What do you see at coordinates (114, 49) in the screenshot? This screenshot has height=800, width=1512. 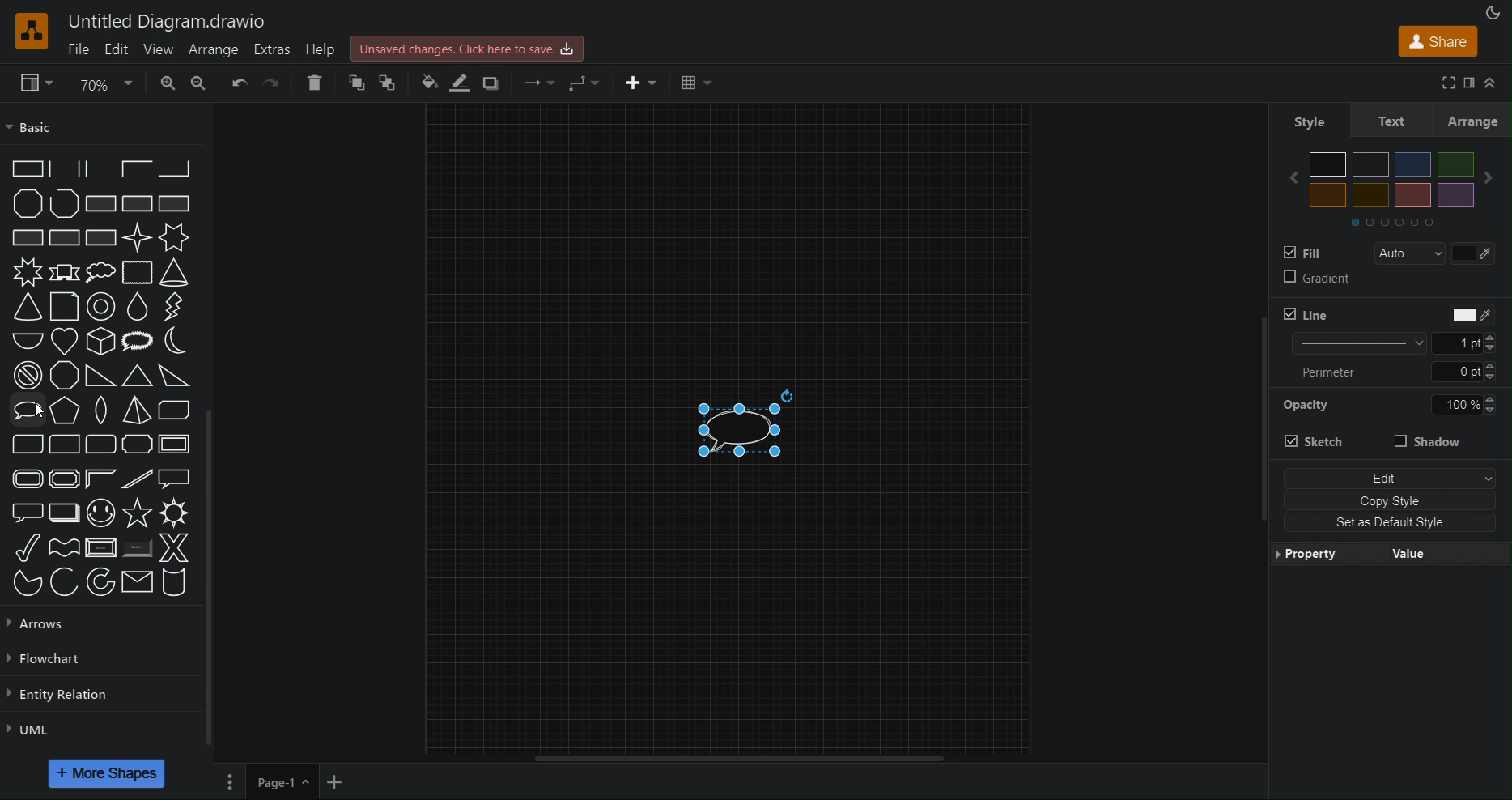 I see `Edit` at bounding box center [114, 49].